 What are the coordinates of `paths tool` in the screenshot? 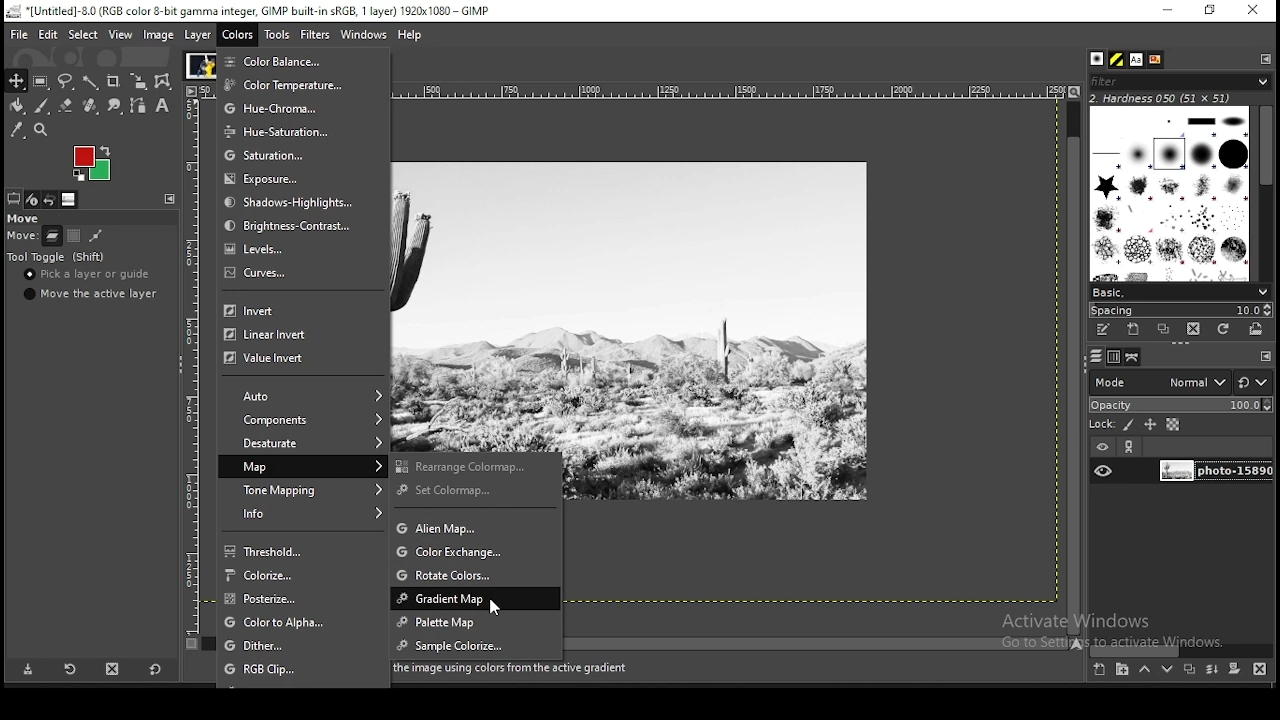 It's located at (138, 105).